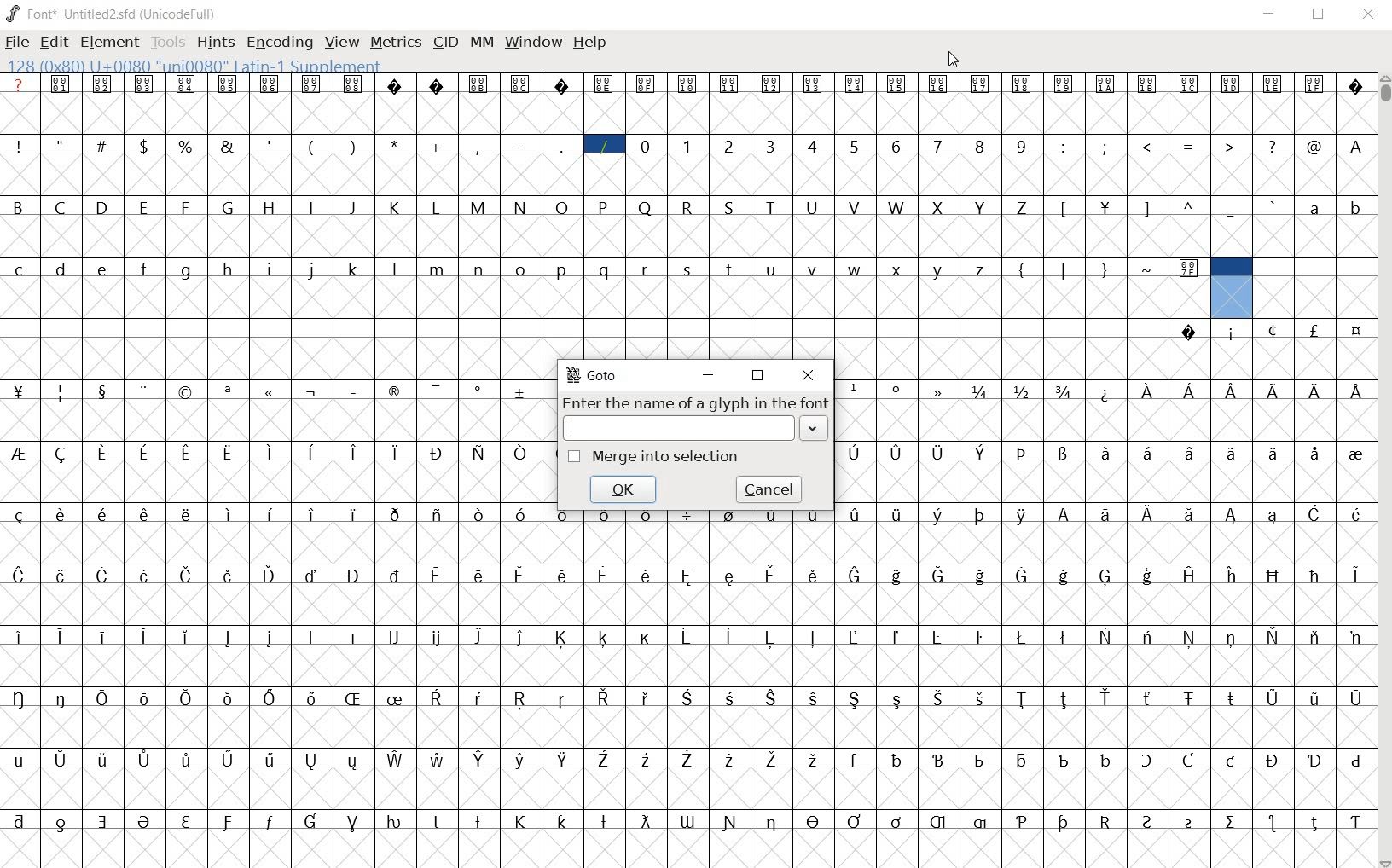 This screenshot has width=1392, height=868. I want to click on Symbol, so click(1024, 698).